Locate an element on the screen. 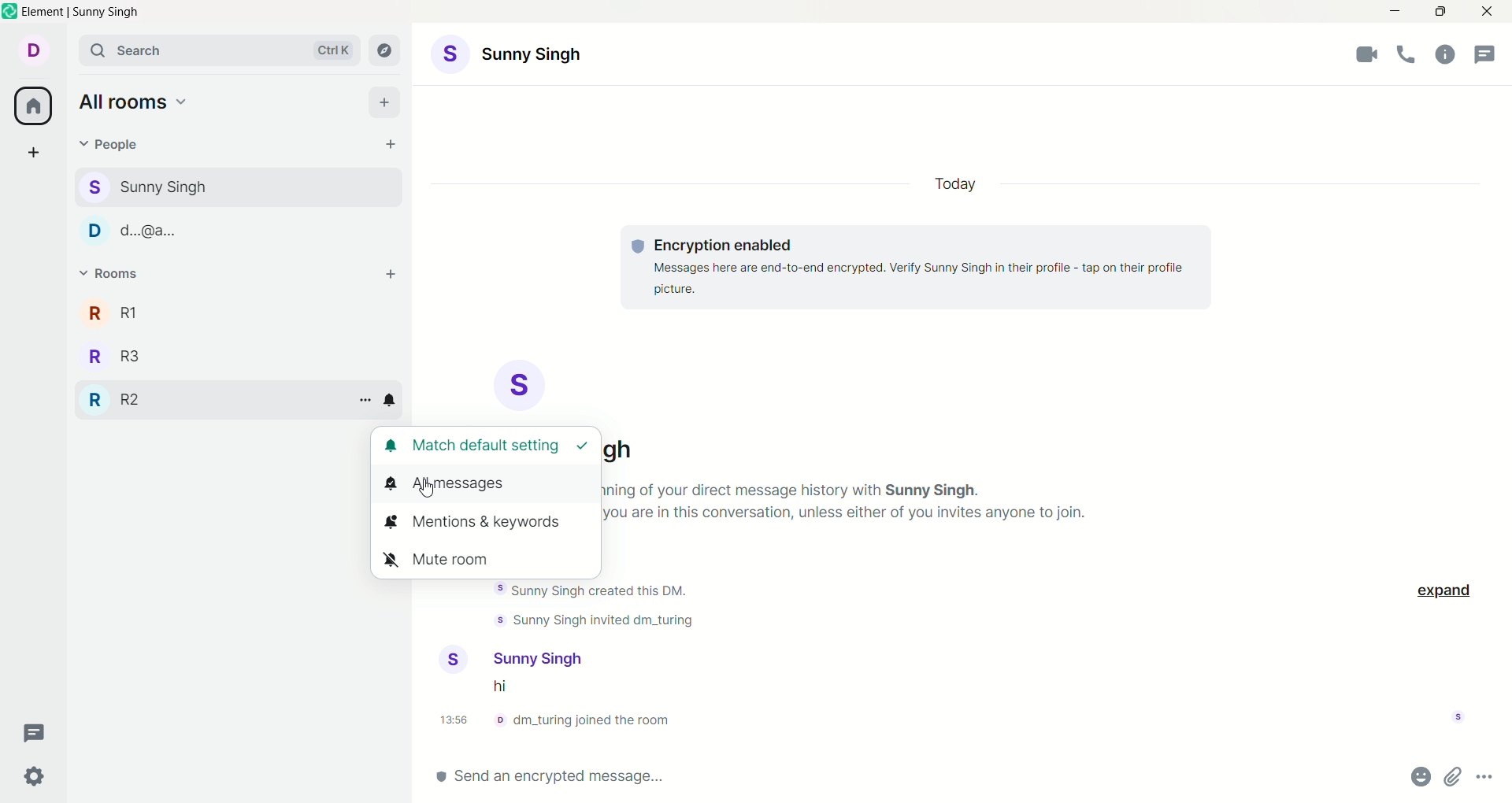 The height and width of the screenshot is (803, 1512). add is located at coordinates (389, 102).